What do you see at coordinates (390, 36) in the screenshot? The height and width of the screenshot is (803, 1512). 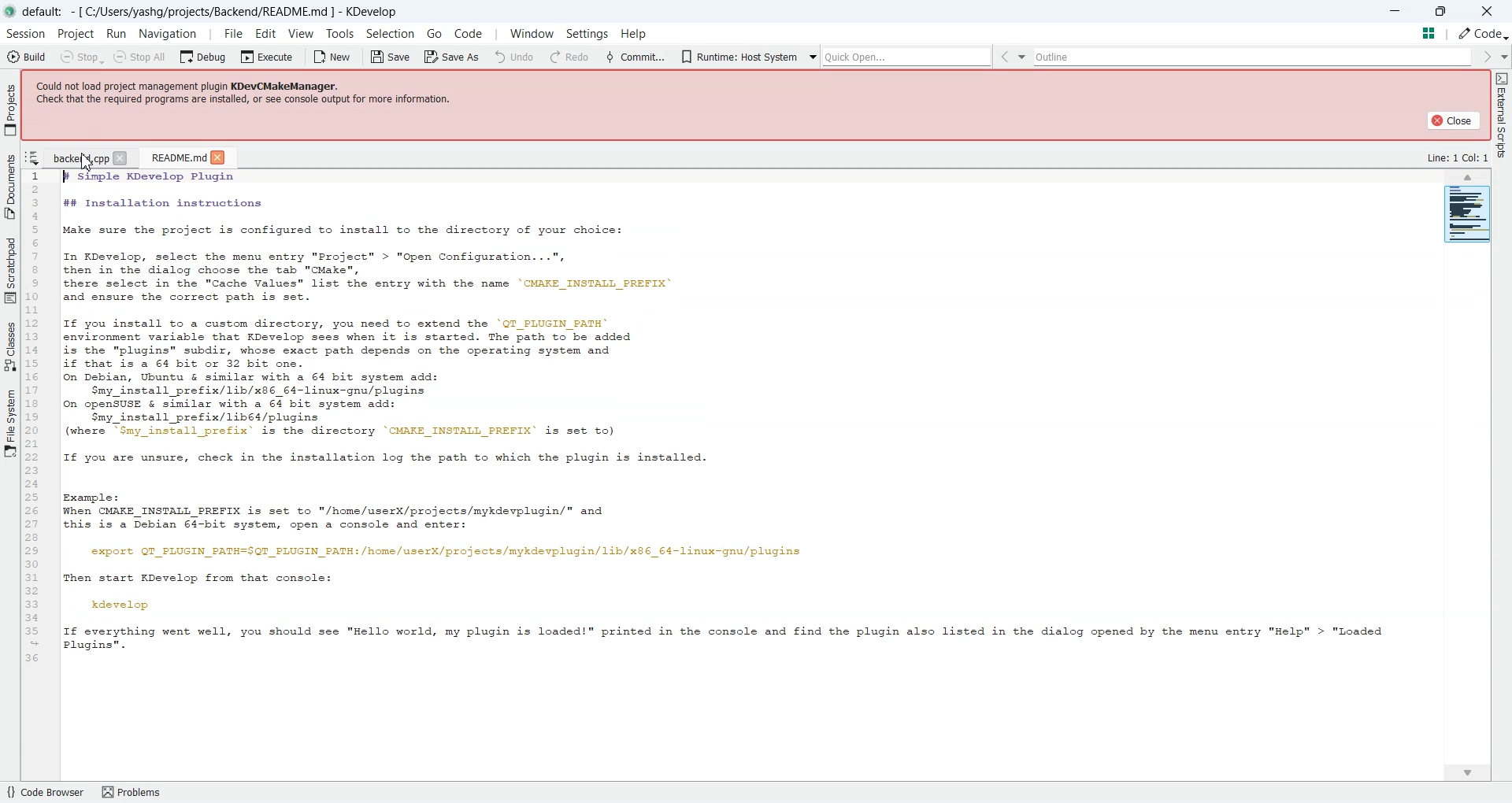 I see `selection ` at bounding box center [390, 36].